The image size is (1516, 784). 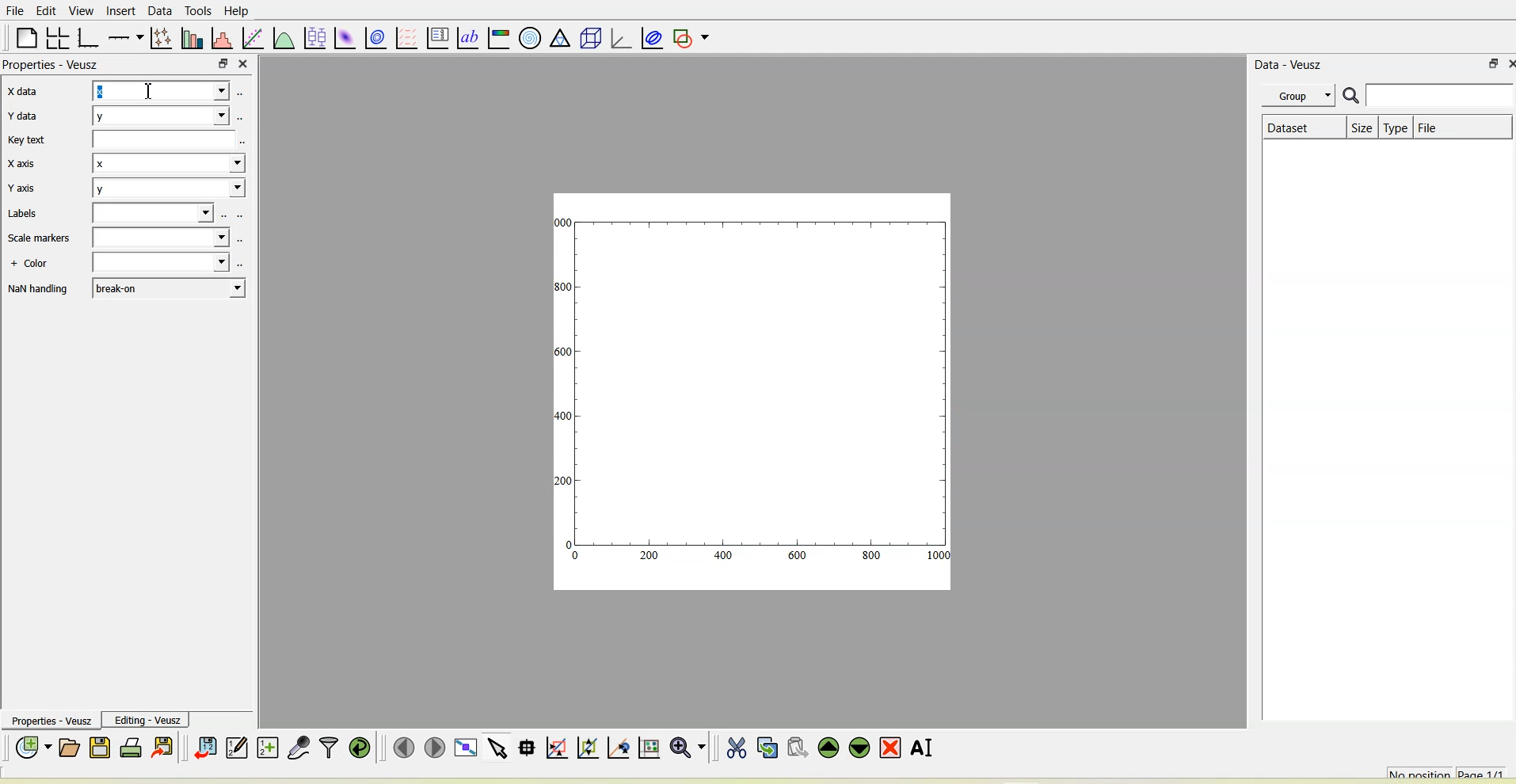 I want to click on Blank, so click(x=154, y=212).